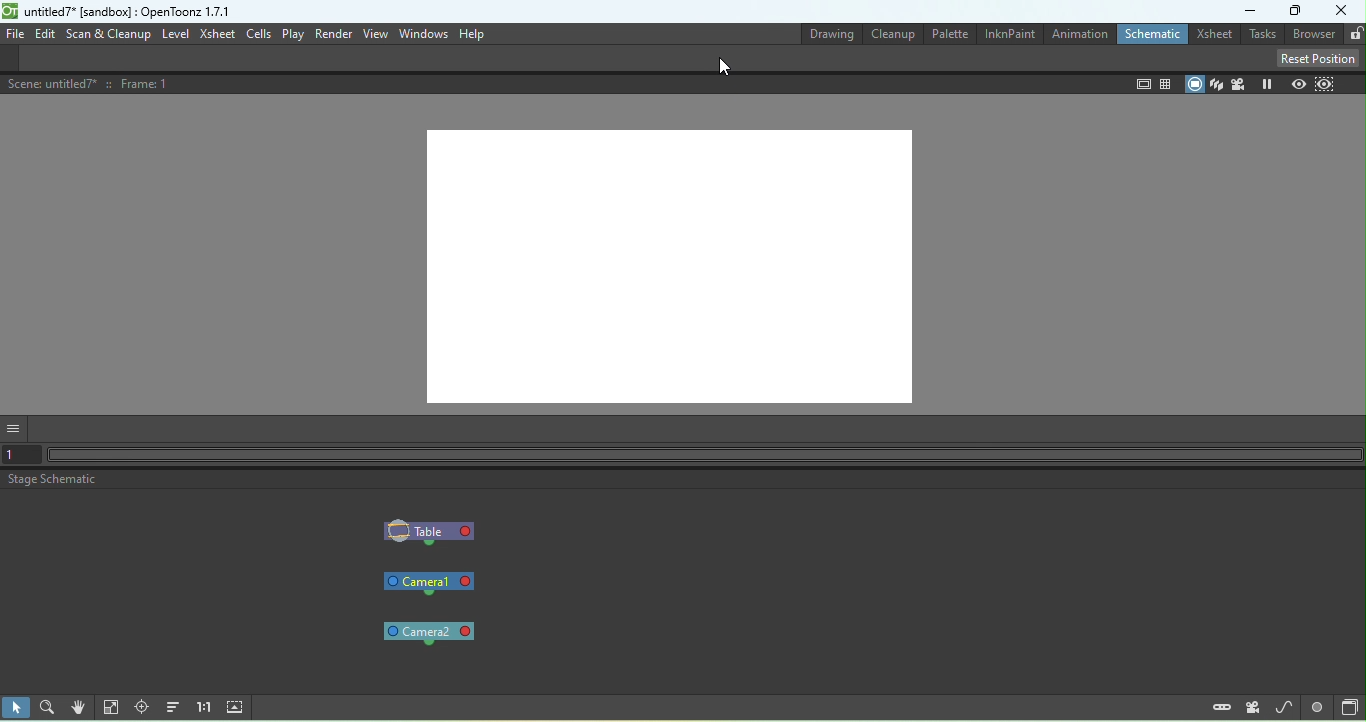 The image size is (1366, 722). What do you see at coordinates (145, 708) in the screenshot?
I see `Focus on current` at bounding box center [145, 708].